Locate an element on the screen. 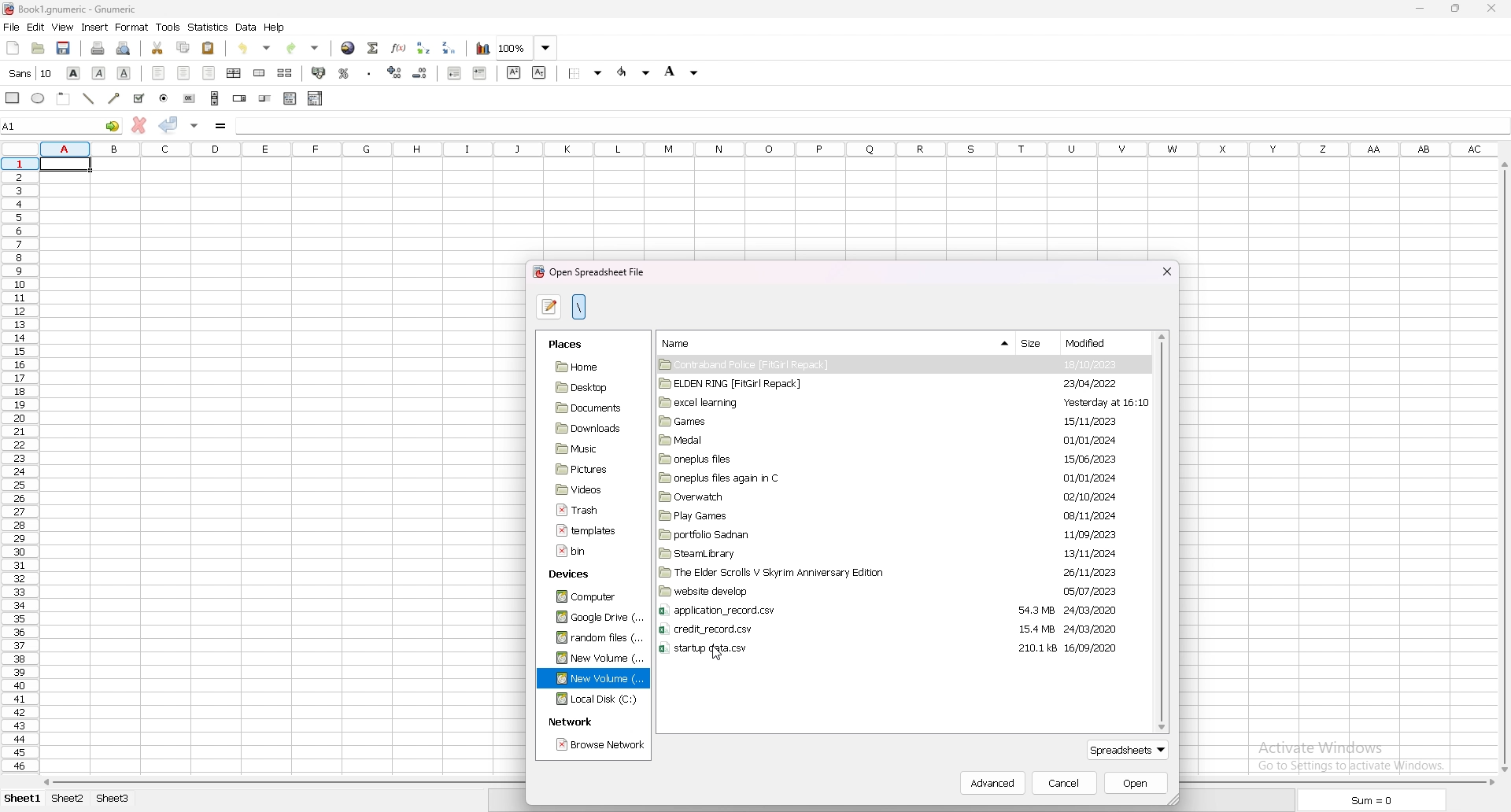  type file name is located at coordinates (550, 307).